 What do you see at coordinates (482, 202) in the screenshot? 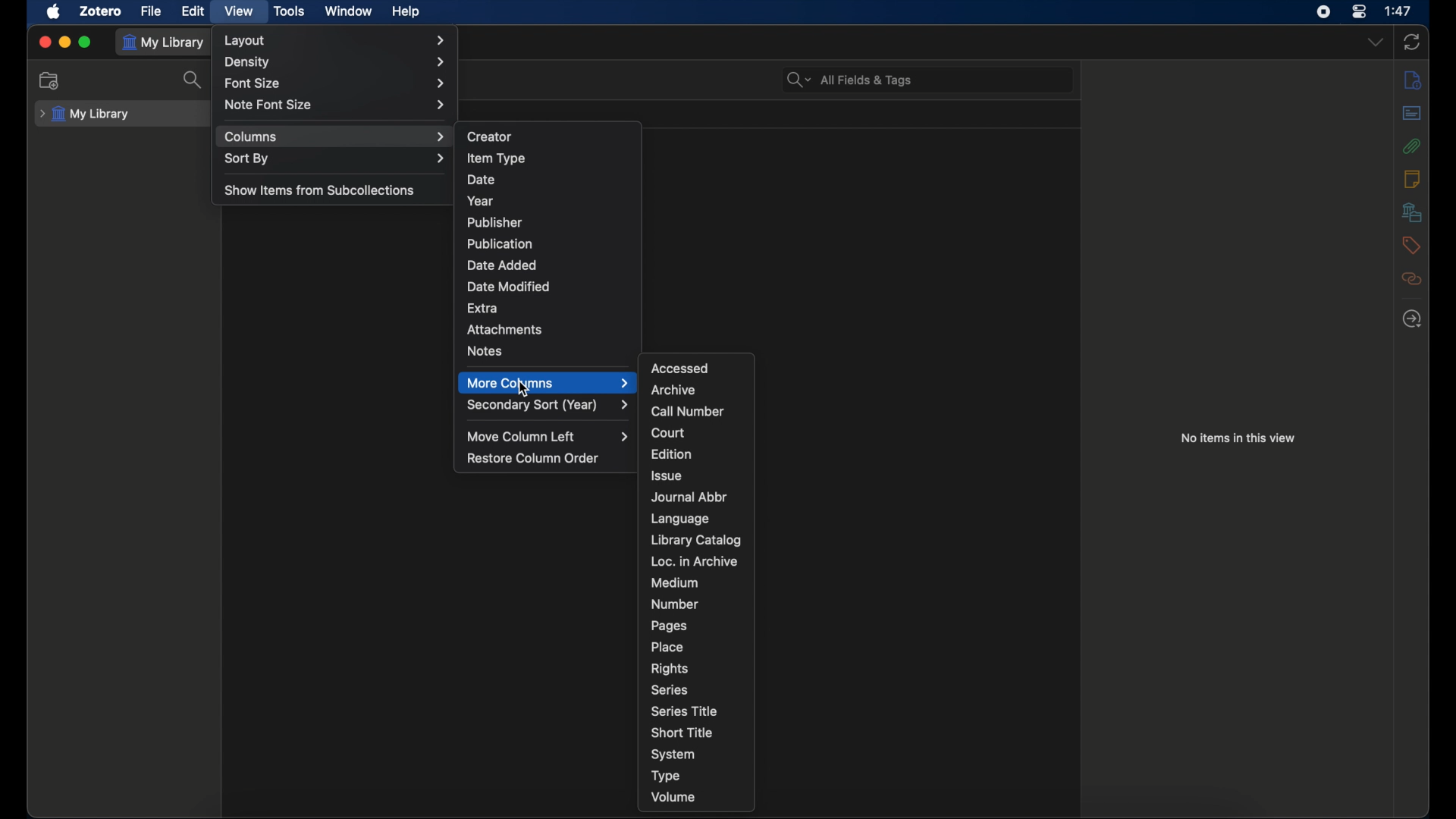
I see `year` at bounding box center [482, 202].